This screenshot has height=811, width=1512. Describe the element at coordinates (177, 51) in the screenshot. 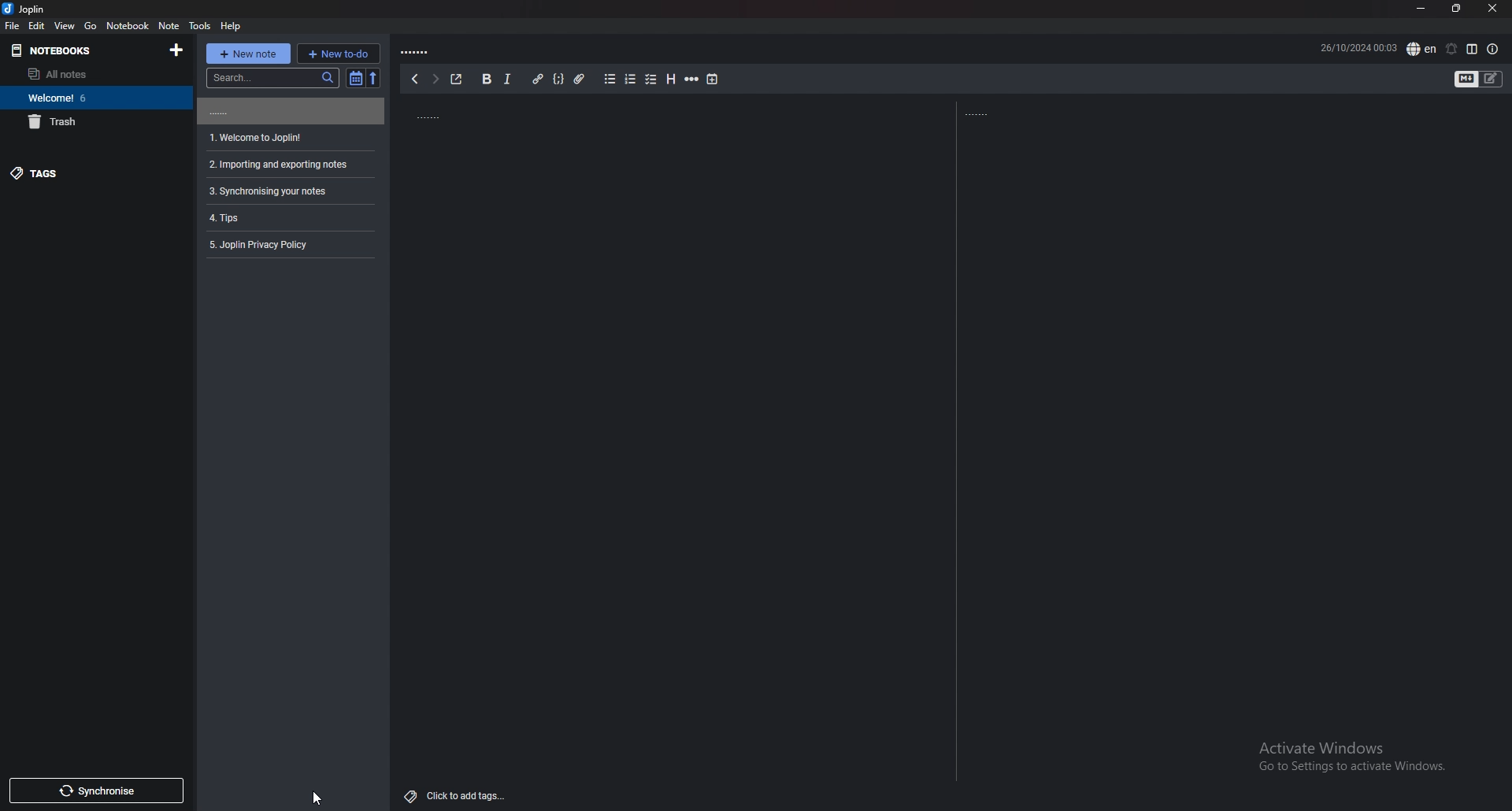

I see `add notebooks` at that location.